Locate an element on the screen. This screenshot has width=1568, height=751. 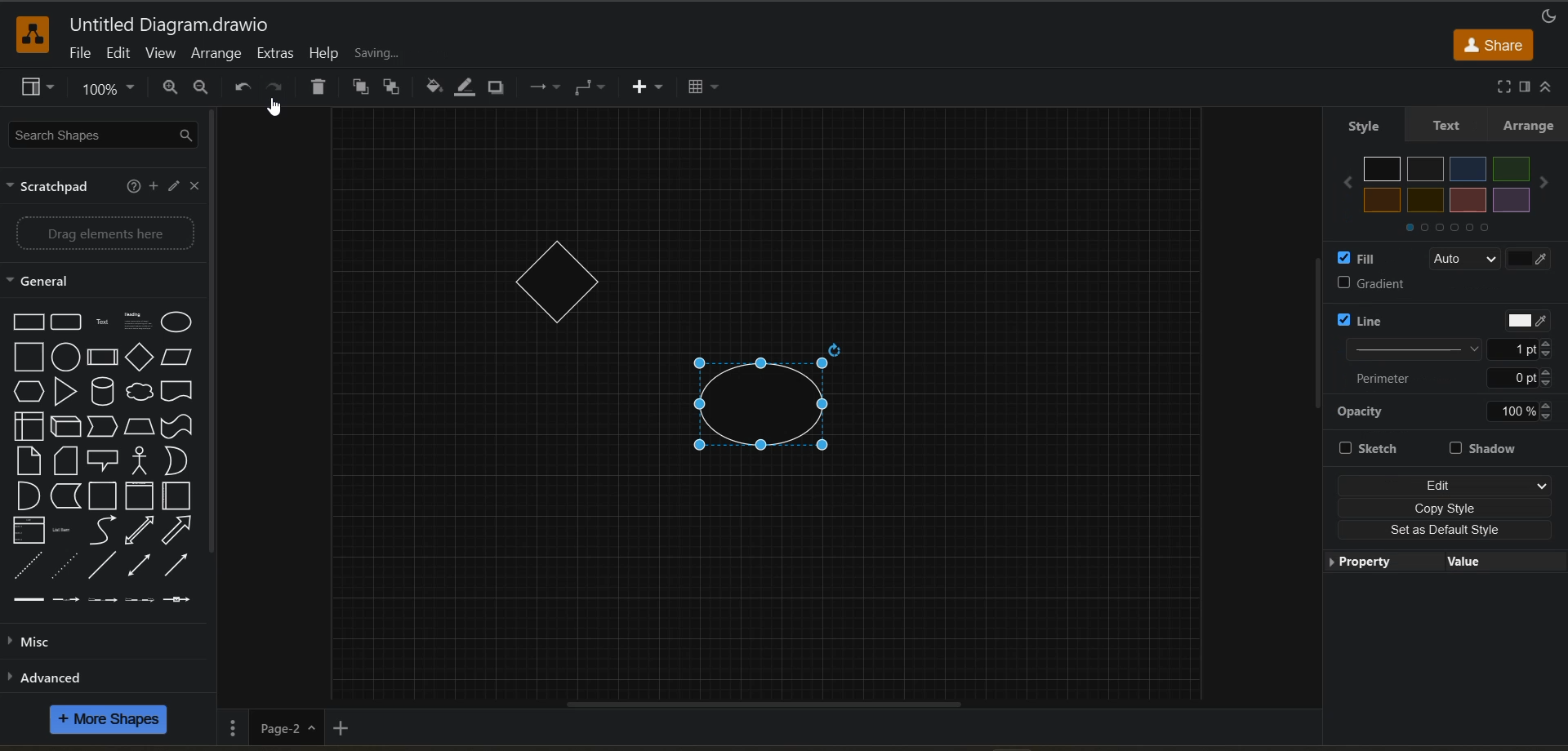
heading is located at coordinates (138, 323).